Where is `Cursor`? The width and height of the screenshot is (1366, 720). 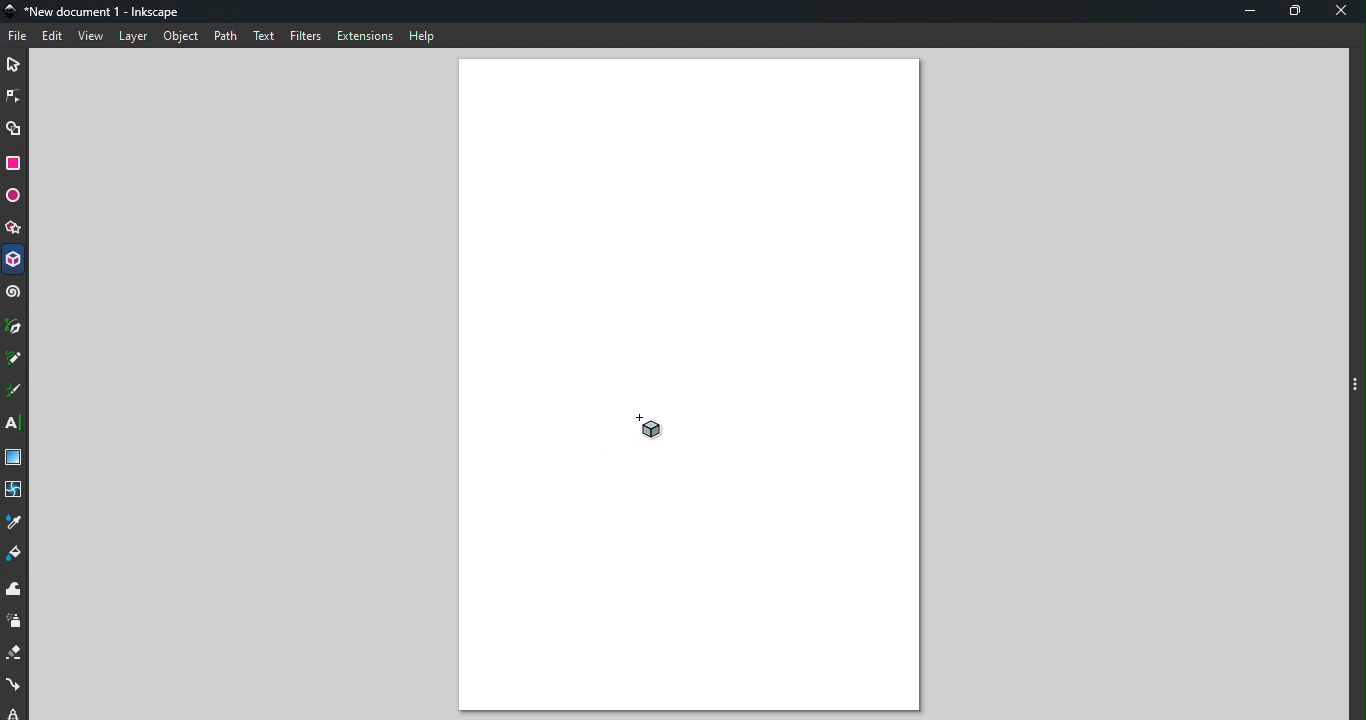
Cursor is located at coordinates (652, 428).